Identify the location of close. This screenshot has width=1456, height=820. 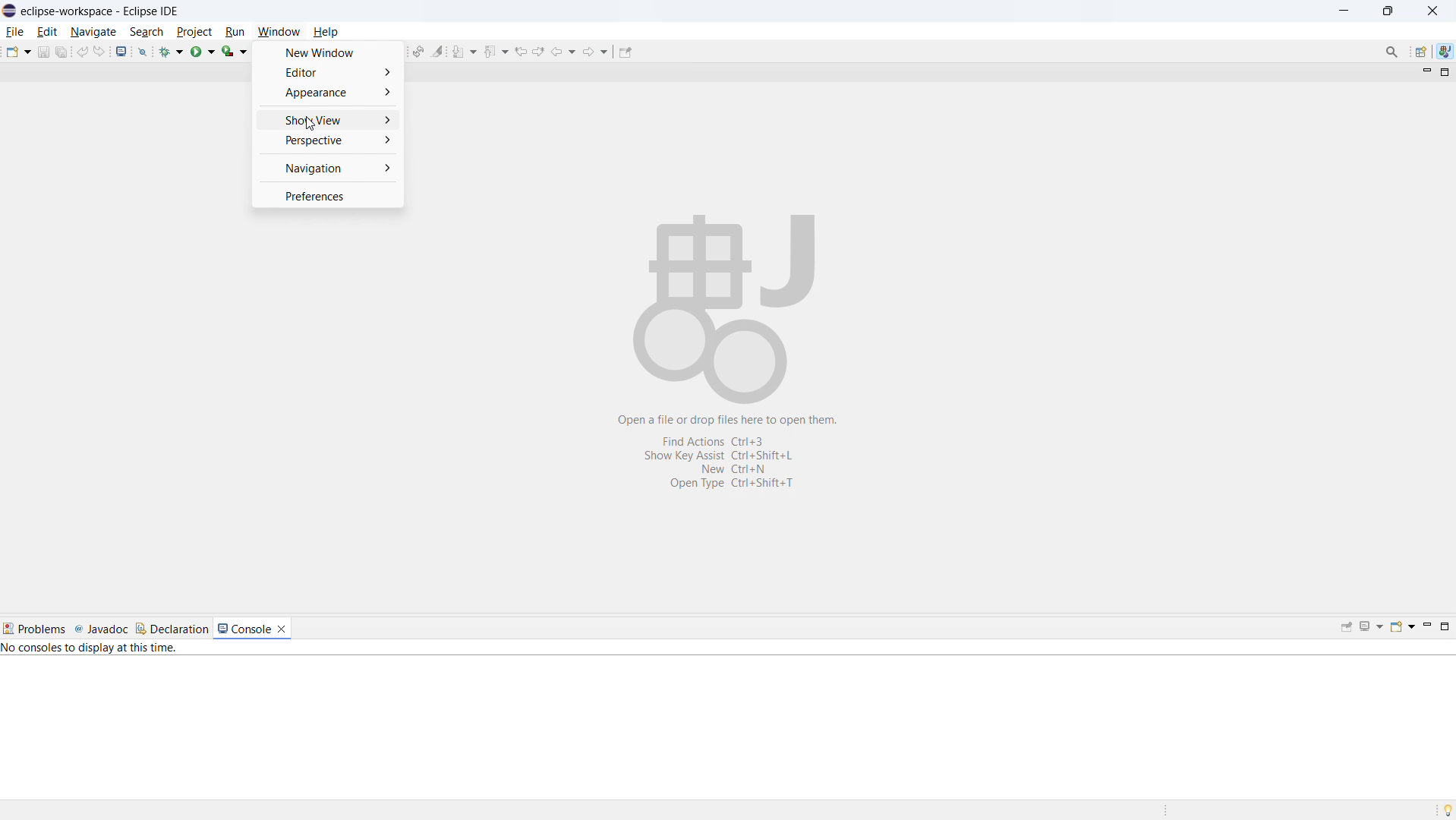
(1433, 10).